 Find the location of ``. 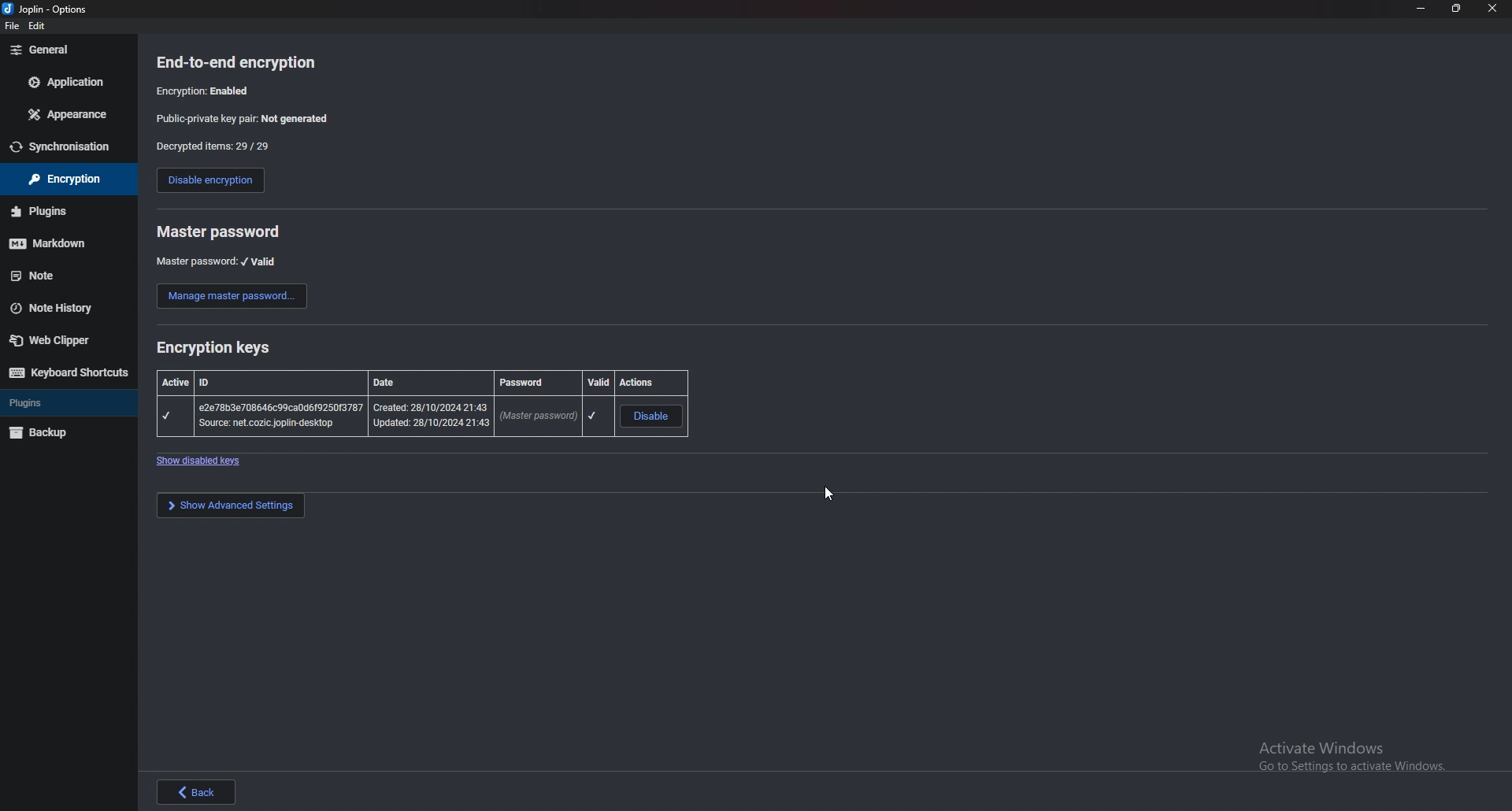

 is located at coordinates (10, 26).